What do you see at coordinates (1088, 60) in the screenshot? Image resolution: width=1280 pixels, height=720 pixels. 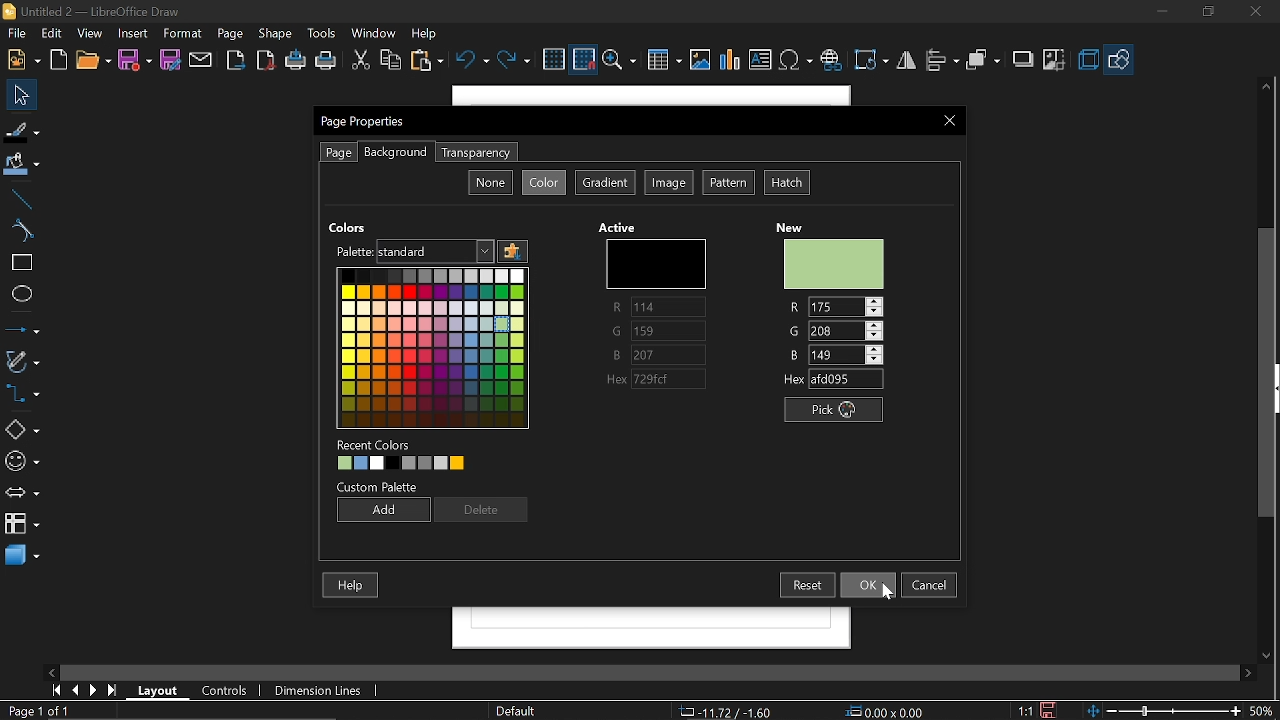 I see `3d effects` at bounding box center [1088, 60].